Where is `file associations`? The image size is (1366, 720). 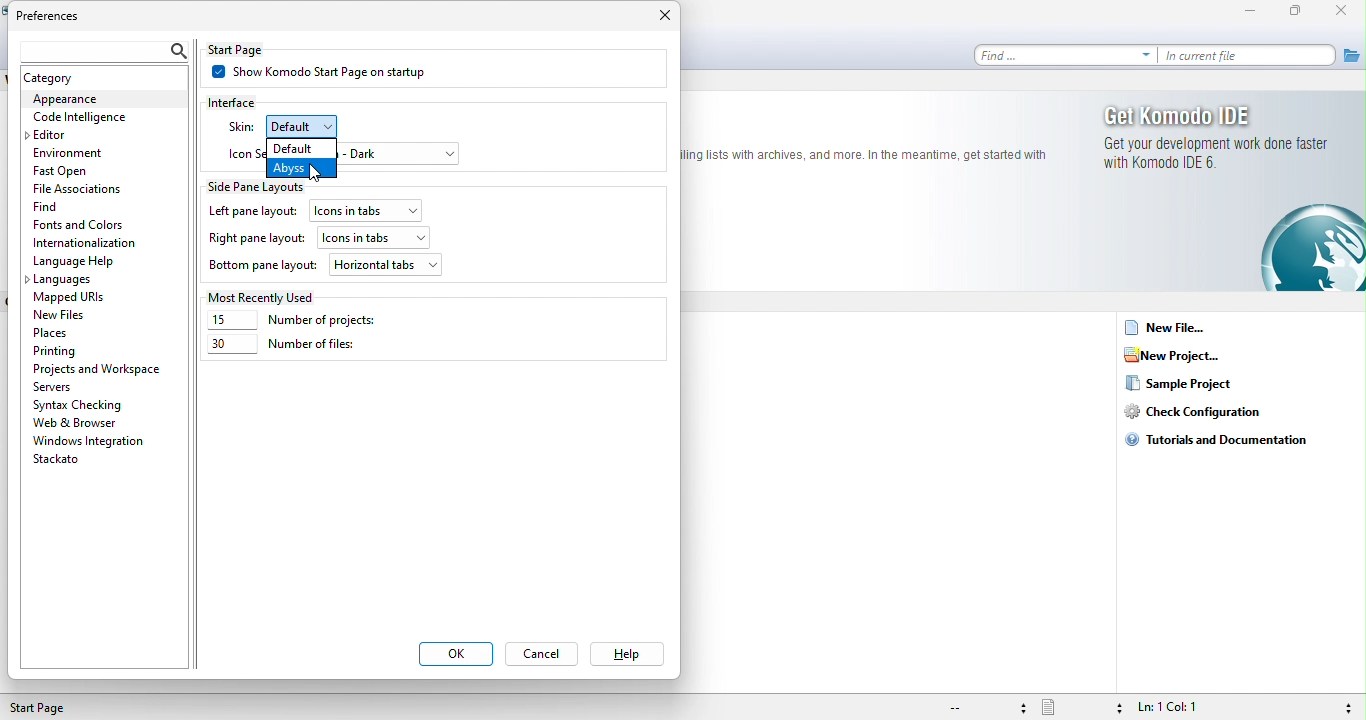
file associations is located at coordinates (81, 189).